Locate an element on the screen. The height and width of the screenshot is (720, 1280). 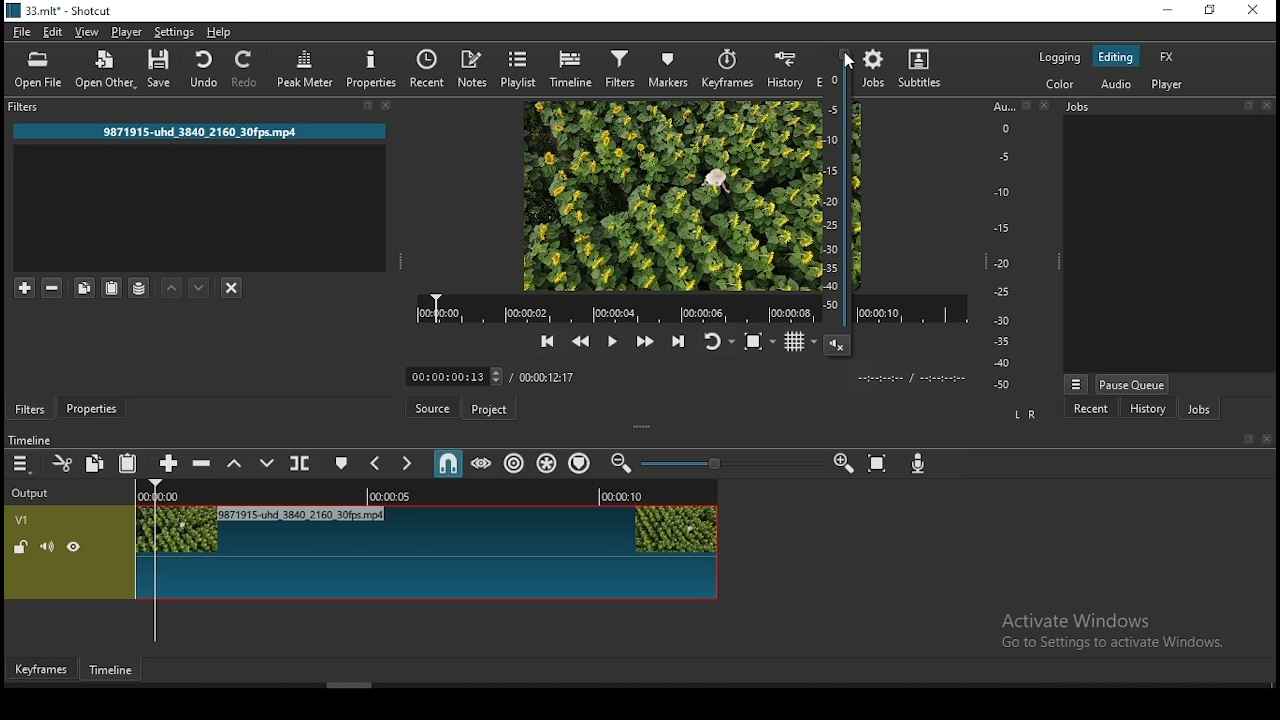
filters is located at coordinates (27, 409).